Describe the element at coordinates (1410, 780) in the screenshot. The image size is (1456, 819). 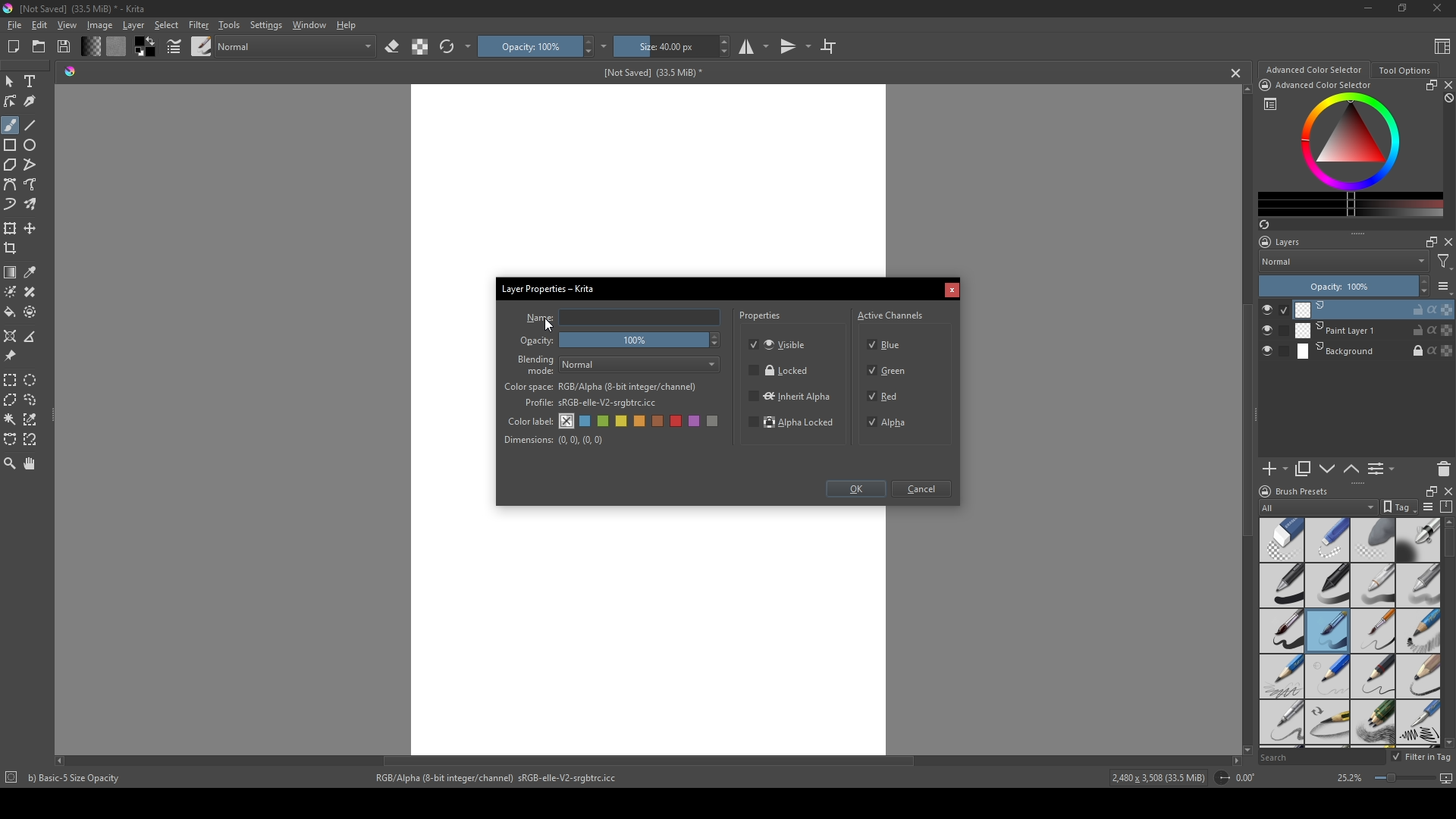
I see `screen size` at that location.